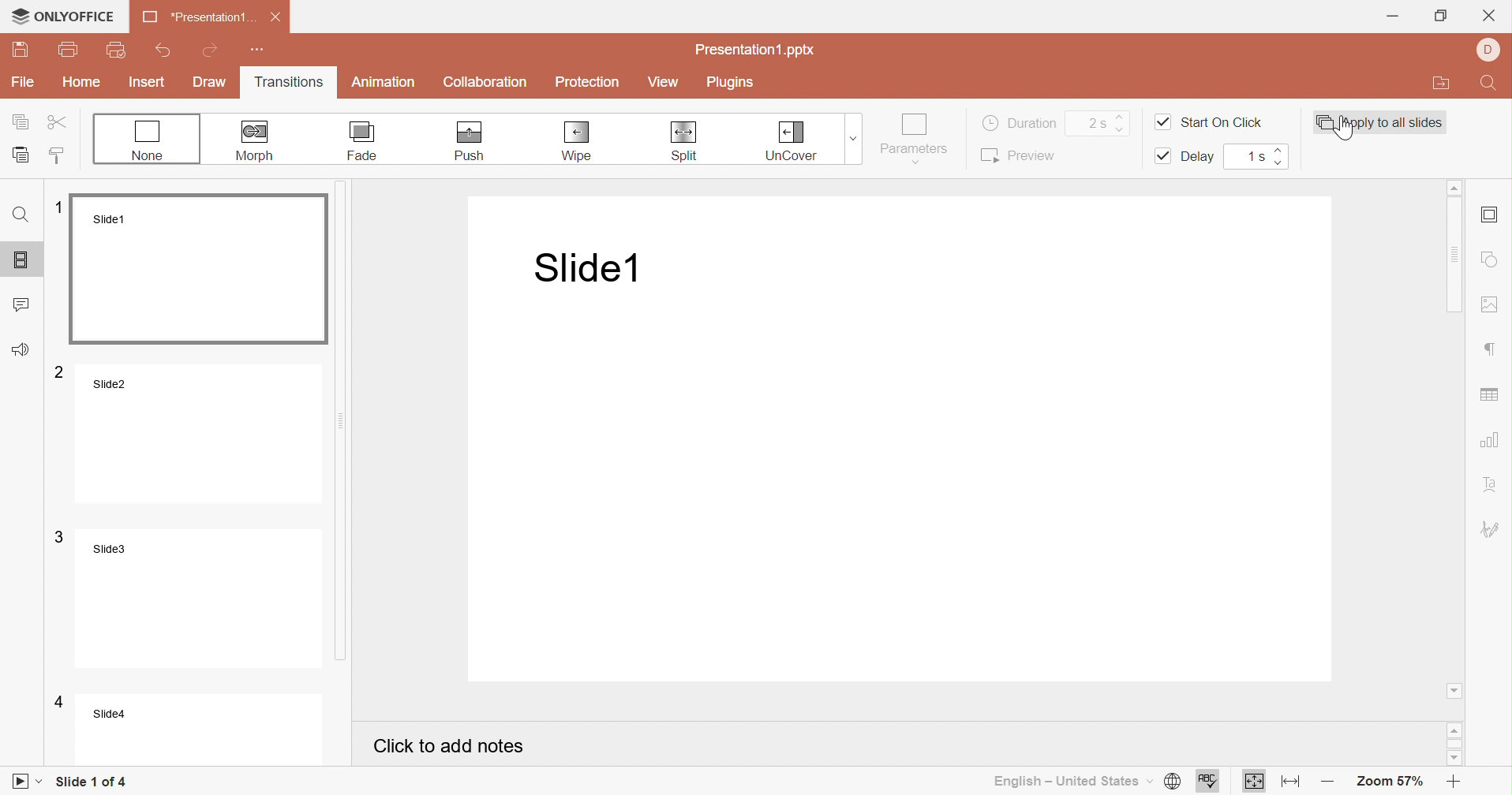  Describe the element at coordinates (857, 137) in the screenshot. I see `Transitions drop down` at that location.